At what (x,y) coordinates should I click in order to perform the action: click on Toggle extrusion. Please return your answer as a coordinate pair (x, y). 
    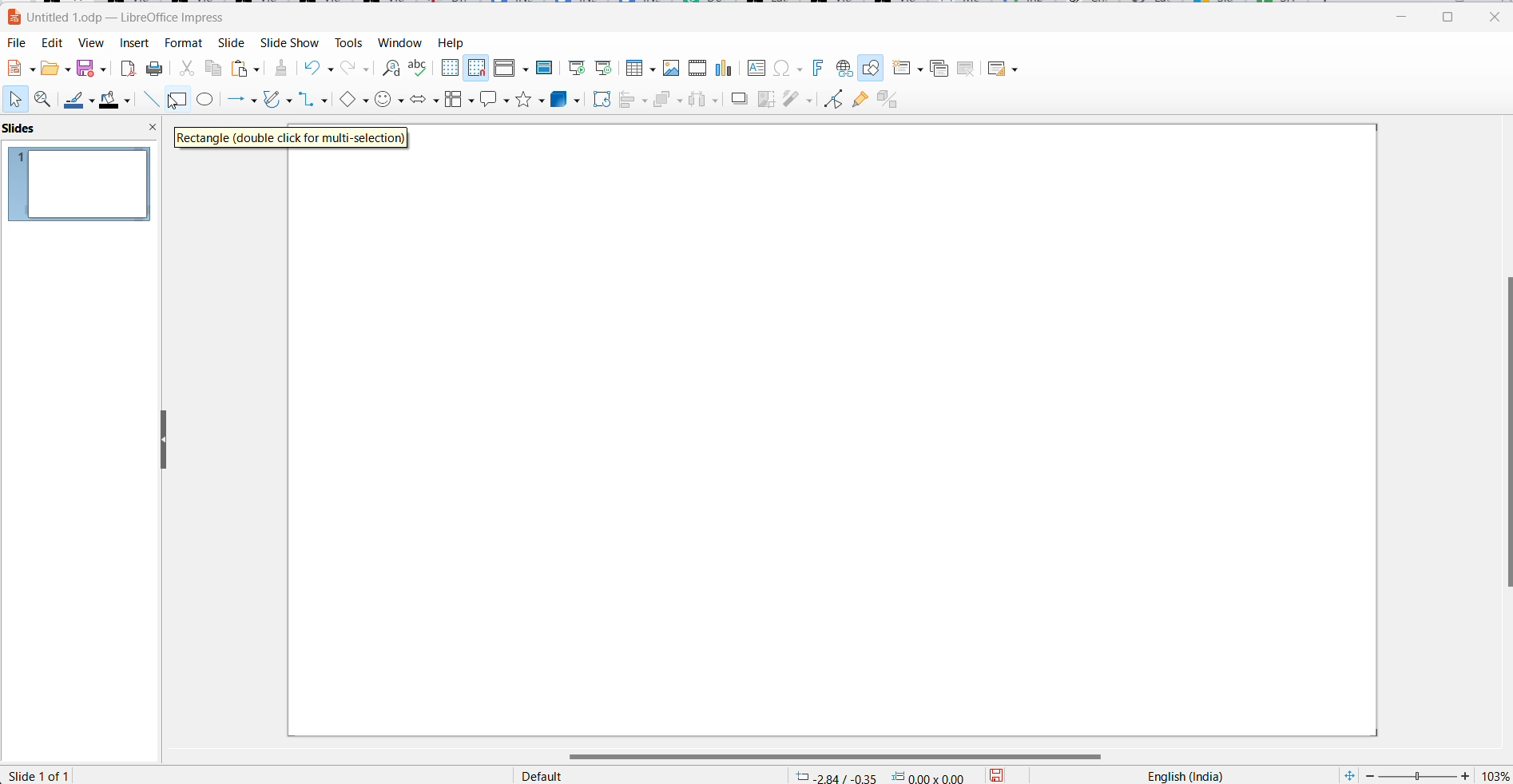
    Looking at the image, I should click on (892, 100).